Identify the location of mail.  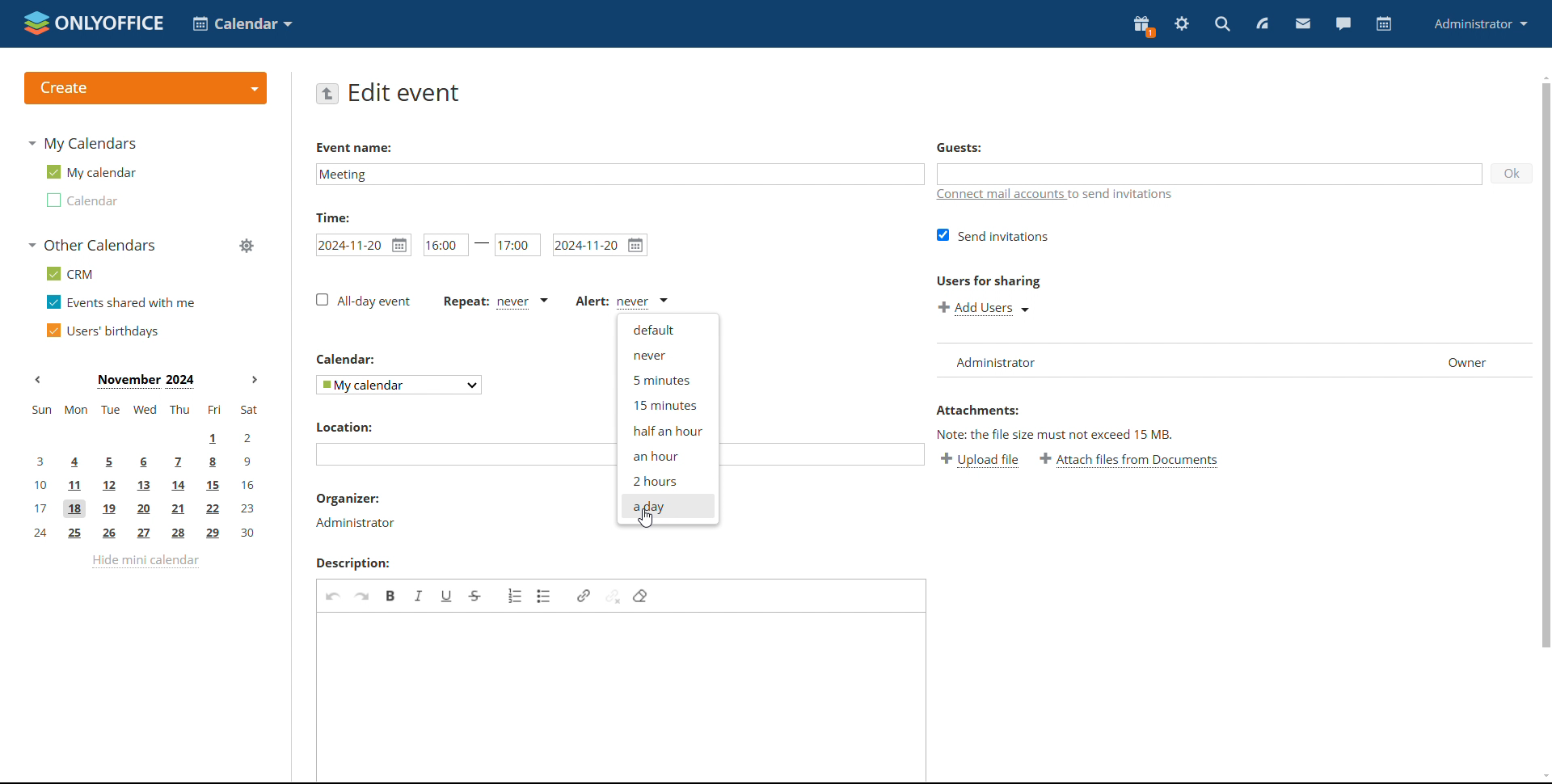
(1303, 25).